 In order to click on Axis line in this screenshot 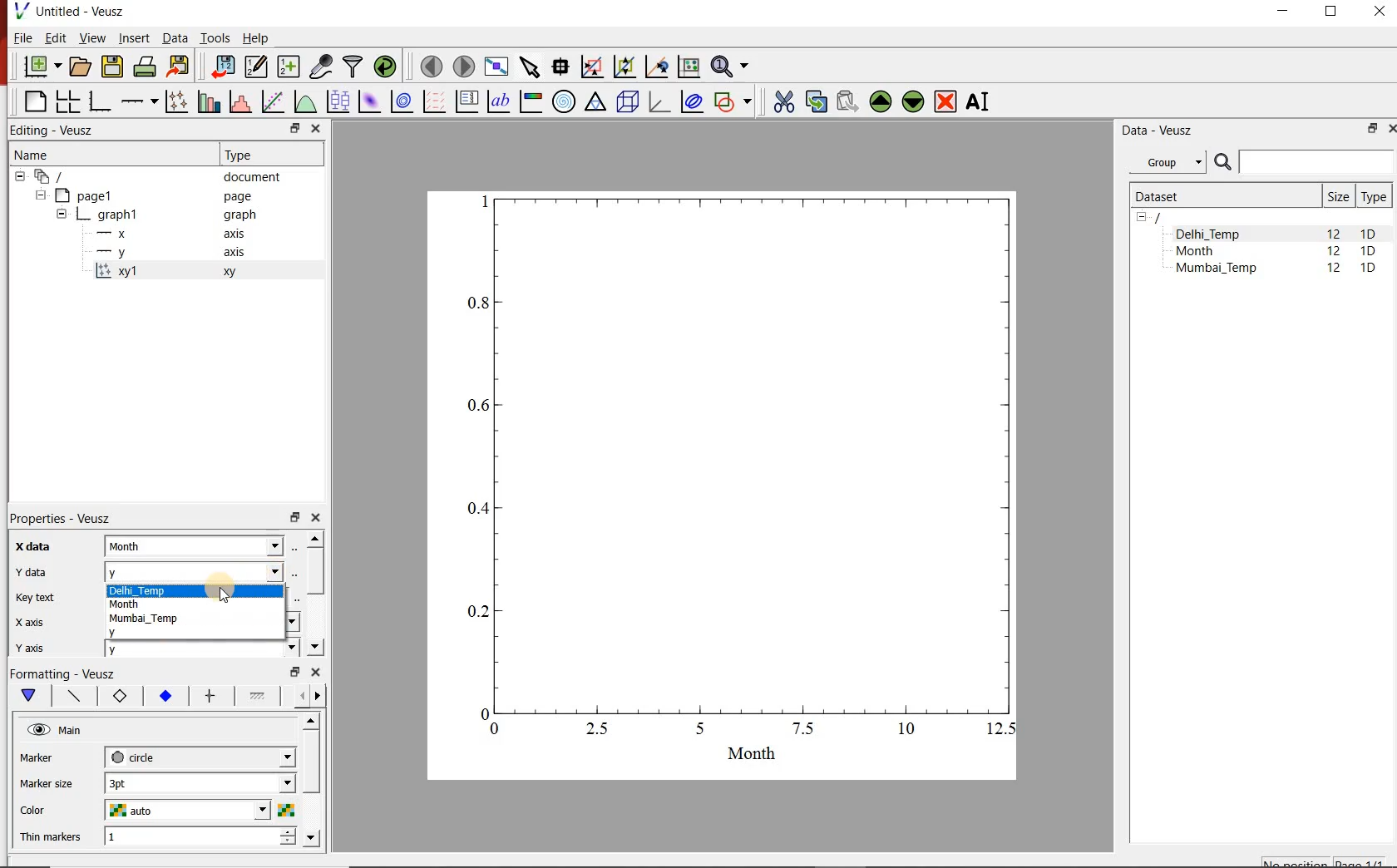, I will do `click(72, 696)`.